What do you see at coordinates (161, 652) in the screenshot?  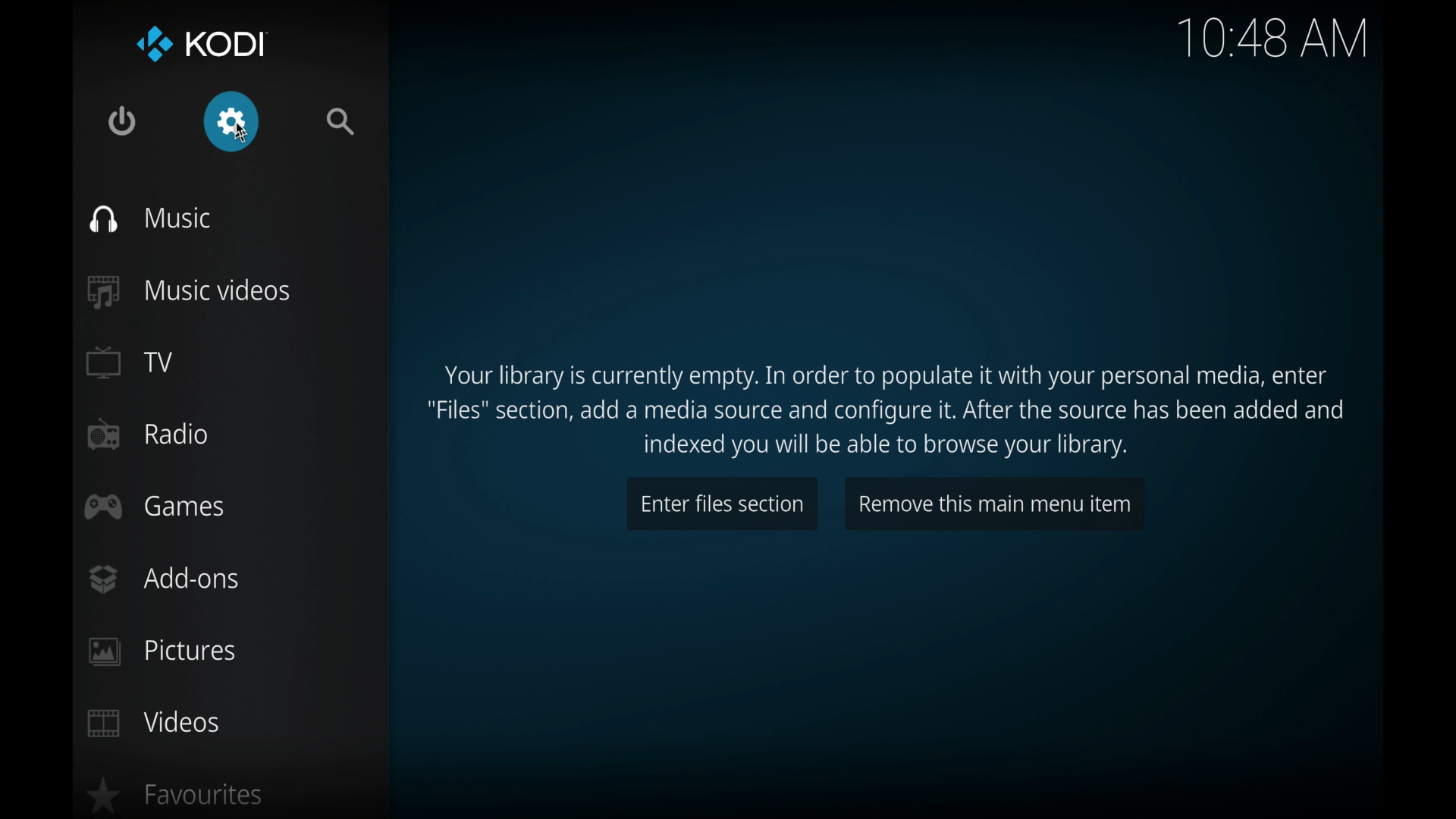 I see `pictures` at bounding box center [161, 652].